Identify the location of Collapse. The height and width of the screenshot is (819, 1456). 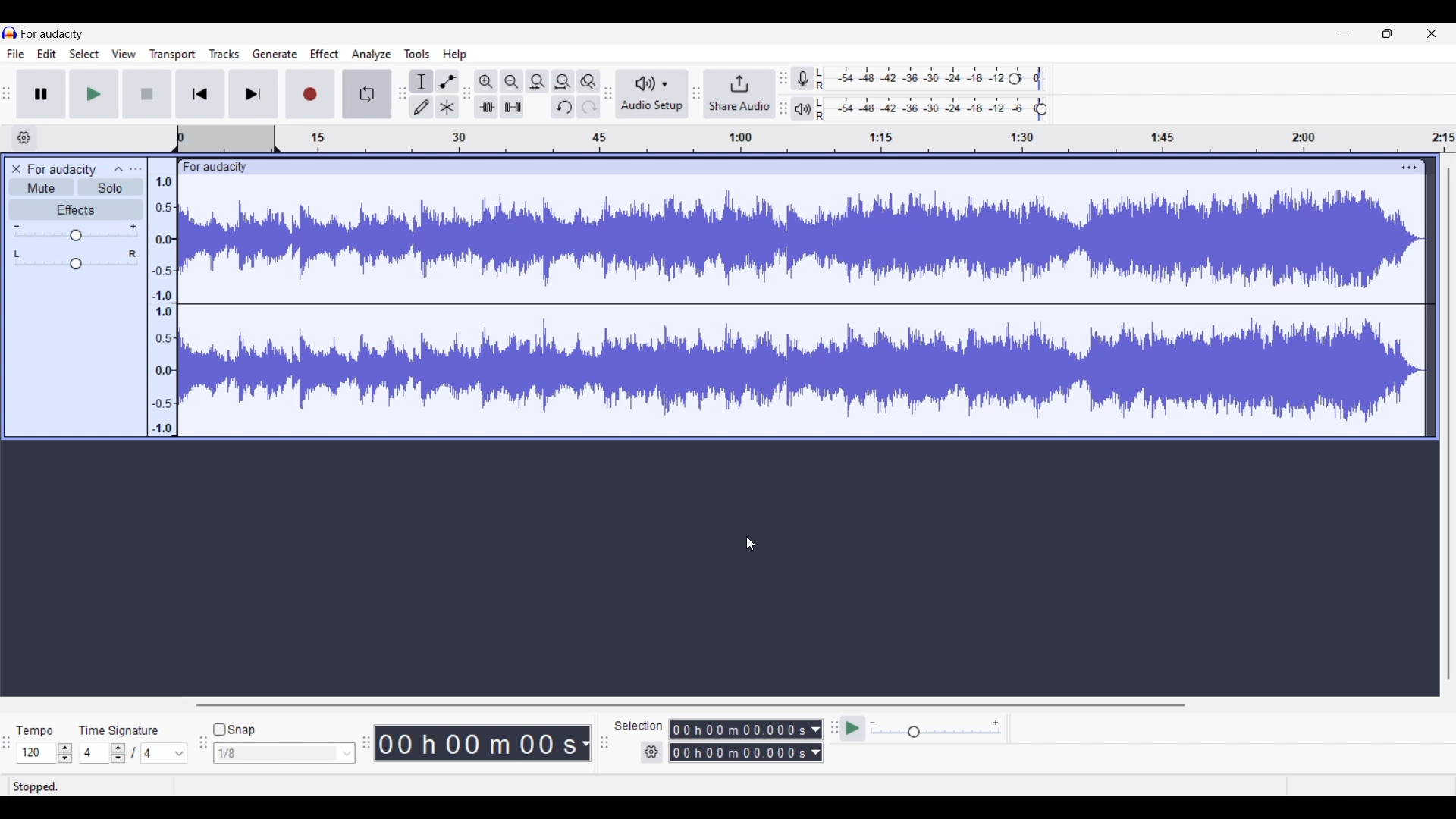
(119, 169).